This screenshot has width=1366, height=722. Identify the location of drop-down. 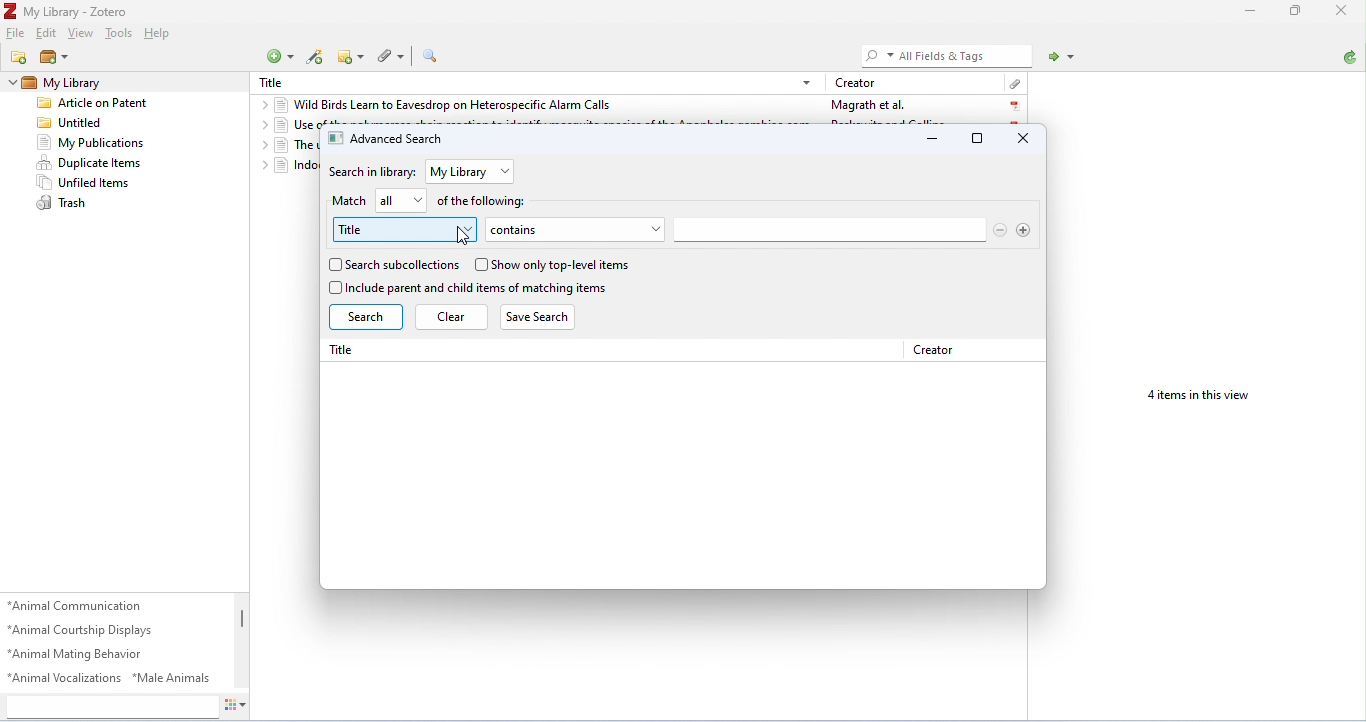
(12, 82).